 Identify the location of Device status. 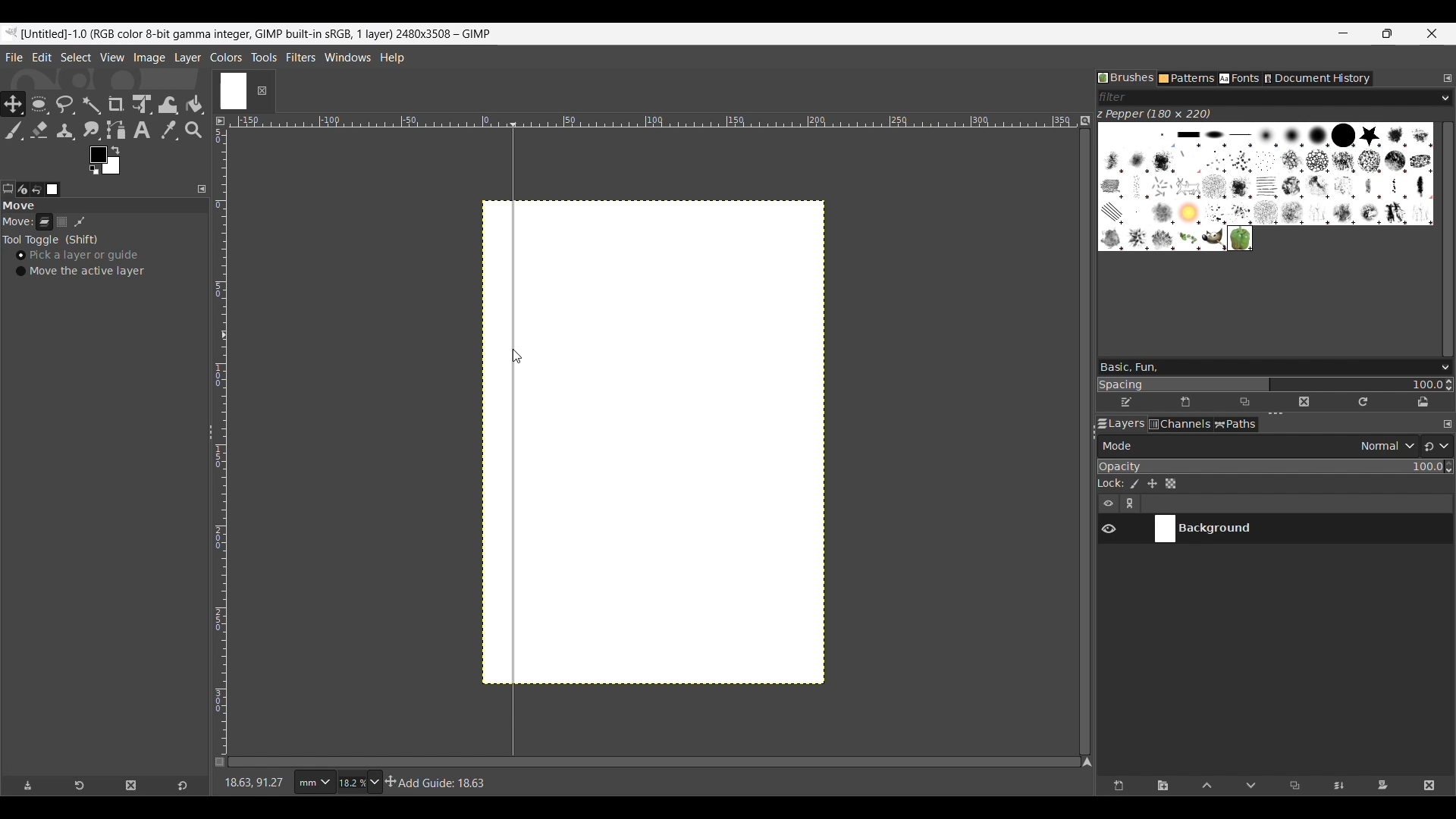
(22, 190).